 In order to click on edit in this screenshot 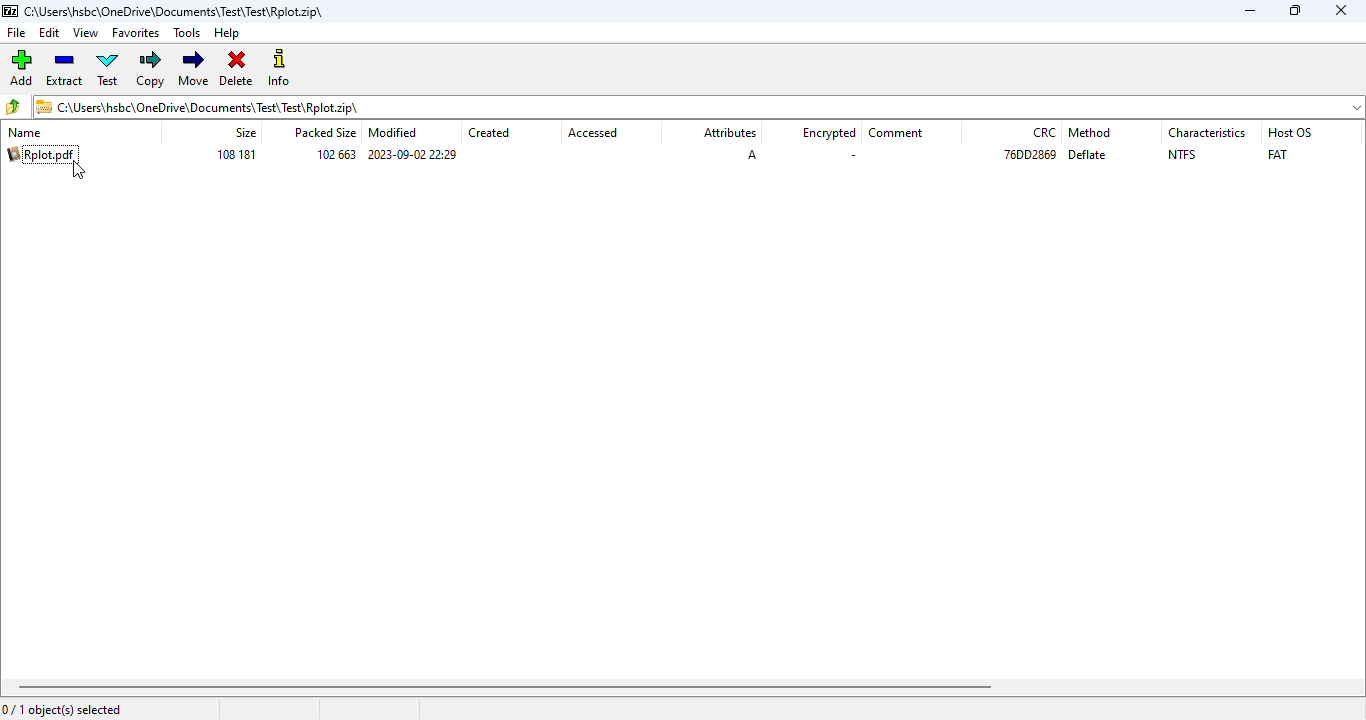, I will do `click(50, 33)`.